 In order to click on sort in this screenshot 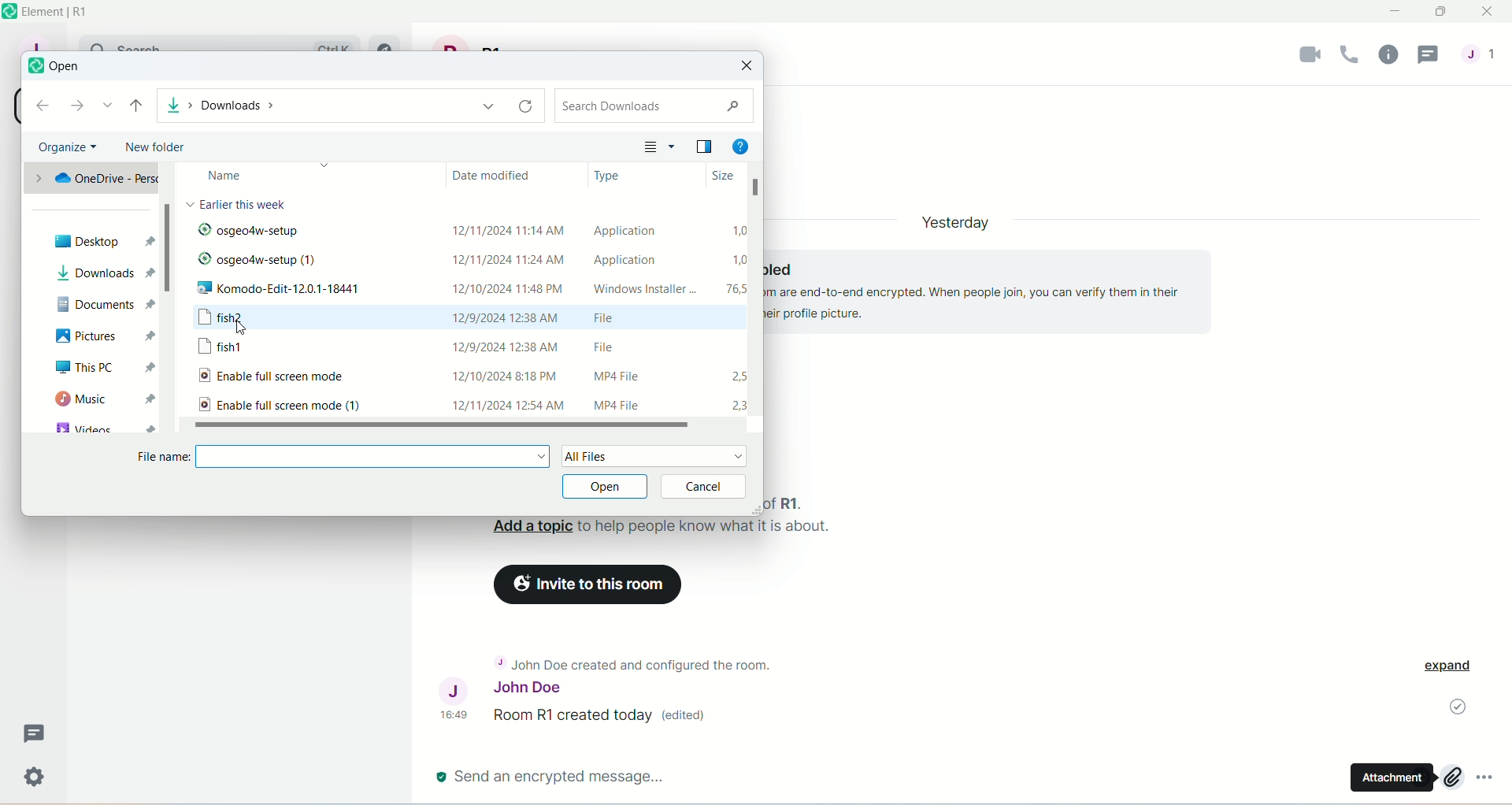, I will do `click(660, 148)`.